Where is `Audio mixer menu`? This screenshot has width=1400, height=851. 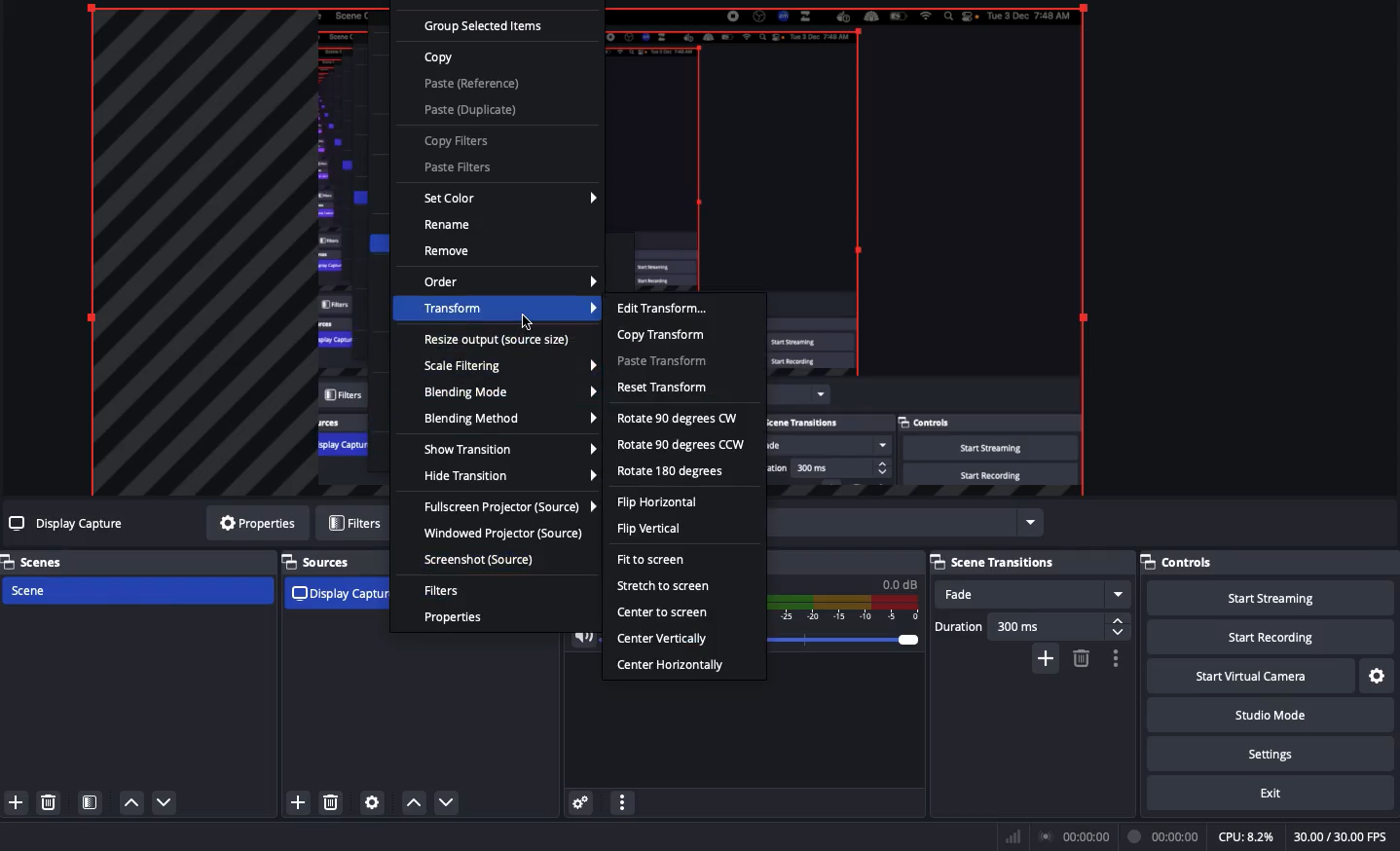 Audio mixer menu is located at coordinates (623, 800).